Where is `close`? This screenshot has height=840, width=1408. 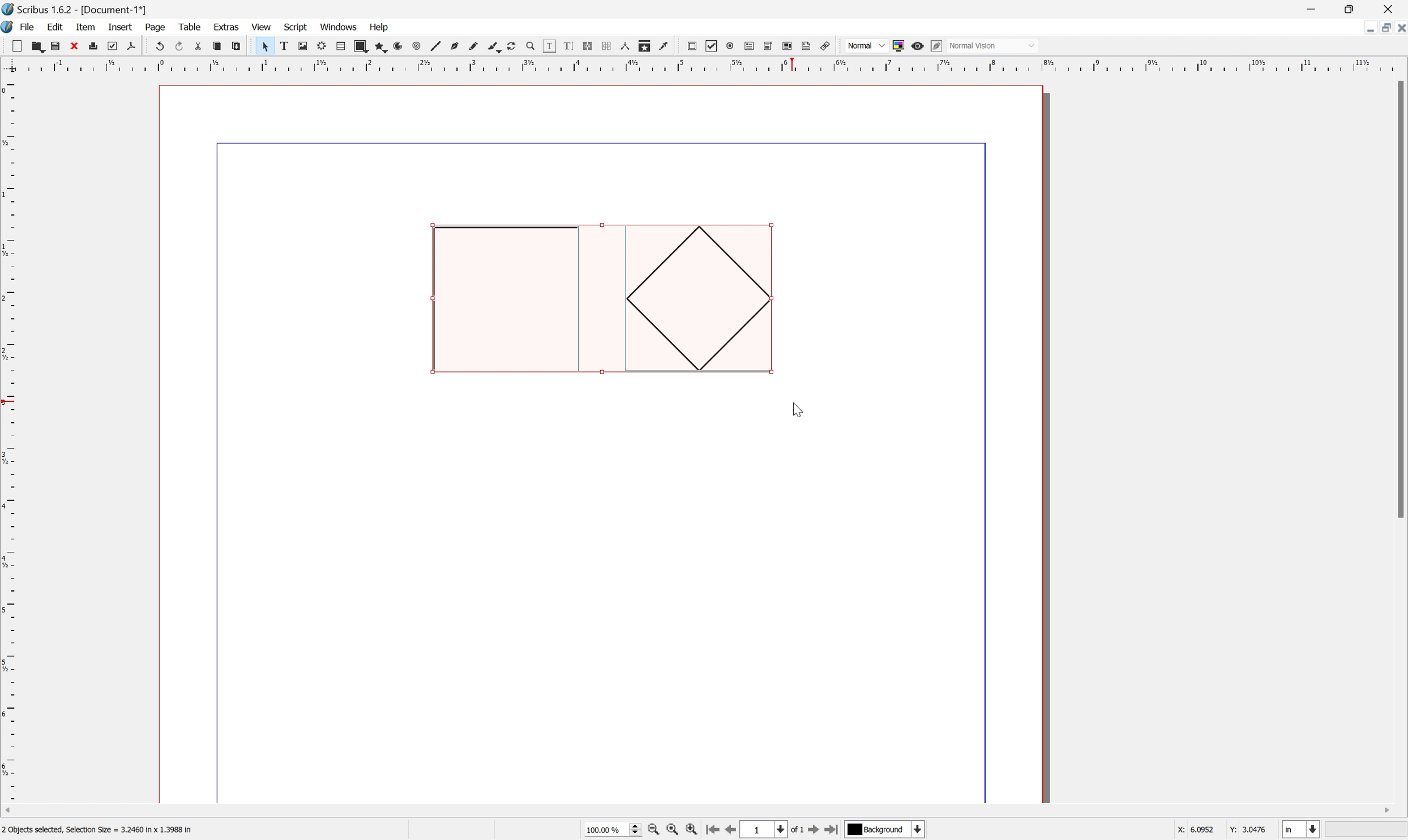 close is located at coordinates (71, 47).